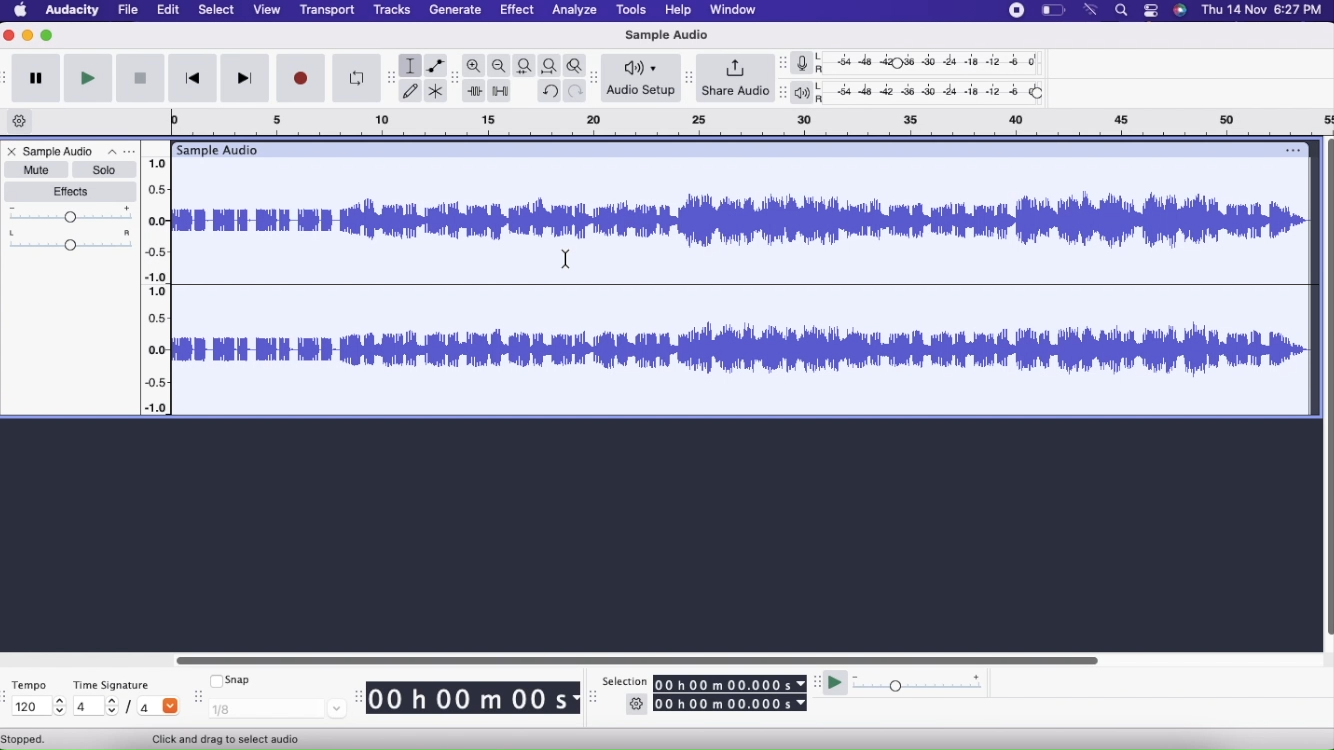 This screenshot has height=750, width=1334. What do you see at coordinates (576, 91) in the screenshot?
I see `Redo` at bounding box center [576, 91].